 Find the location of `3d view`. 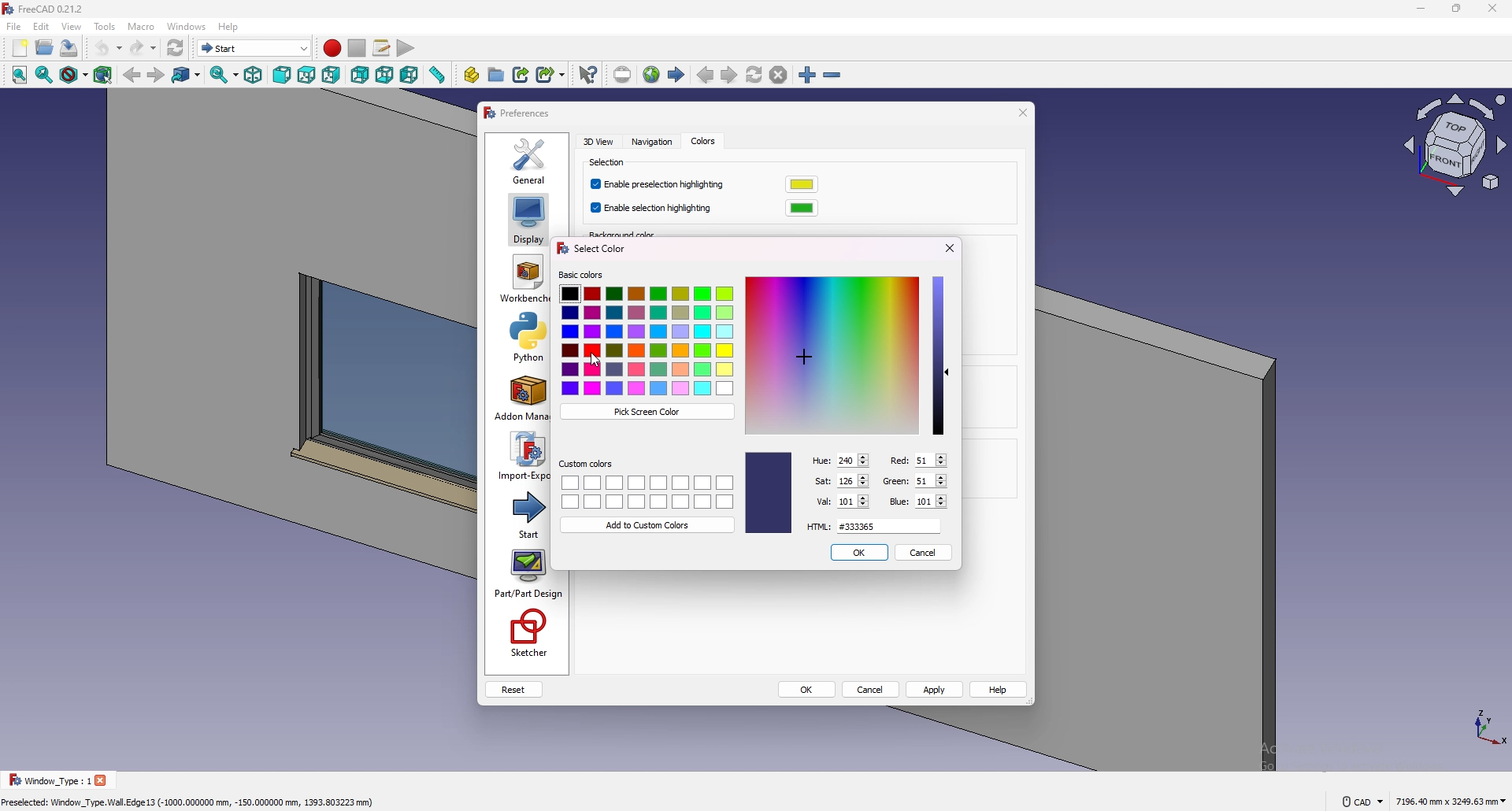

3d view is located at coordinates (600, 141).